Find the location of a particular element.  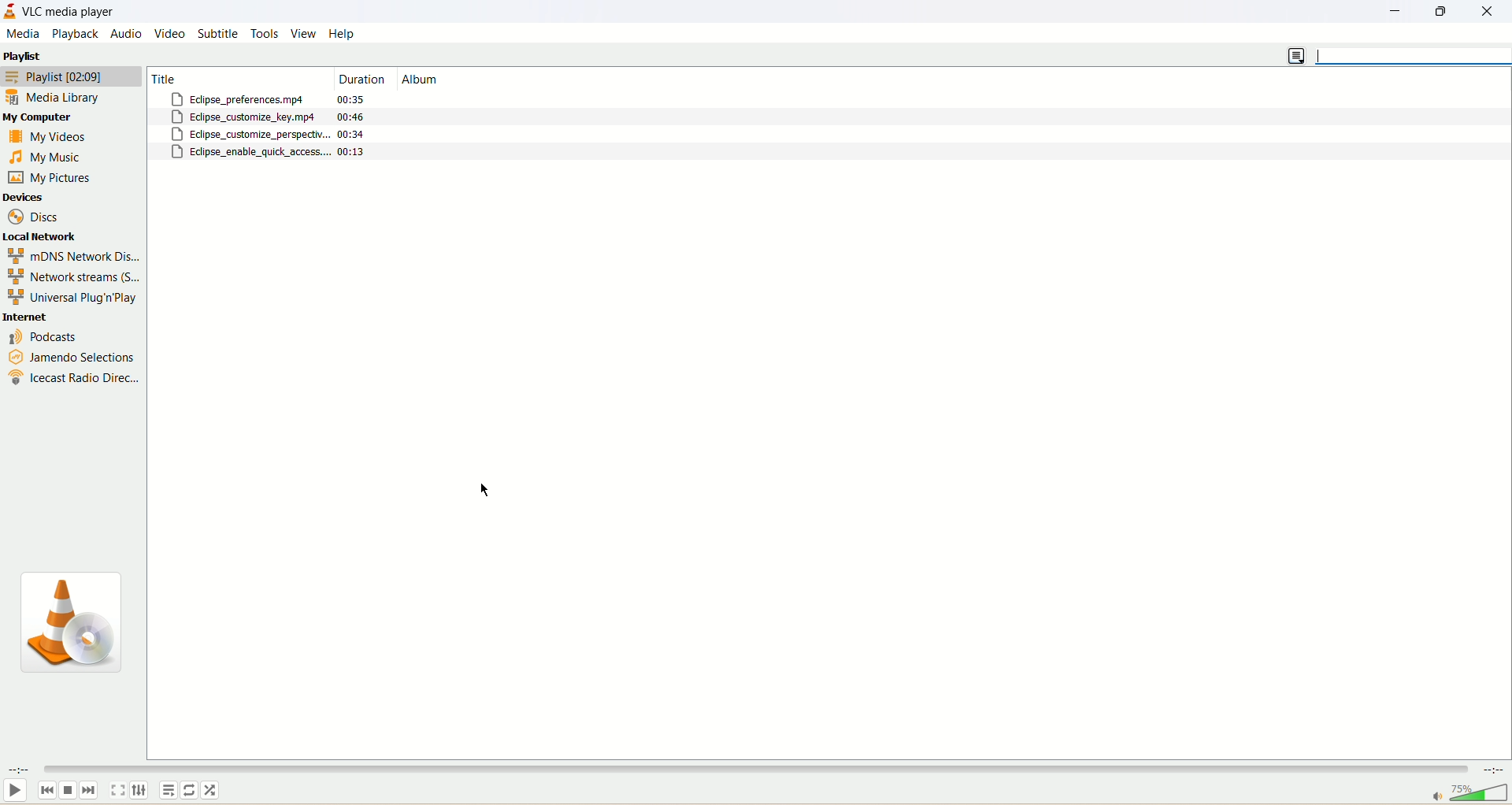

Jamendo selections is located at coordinates (70, 357).